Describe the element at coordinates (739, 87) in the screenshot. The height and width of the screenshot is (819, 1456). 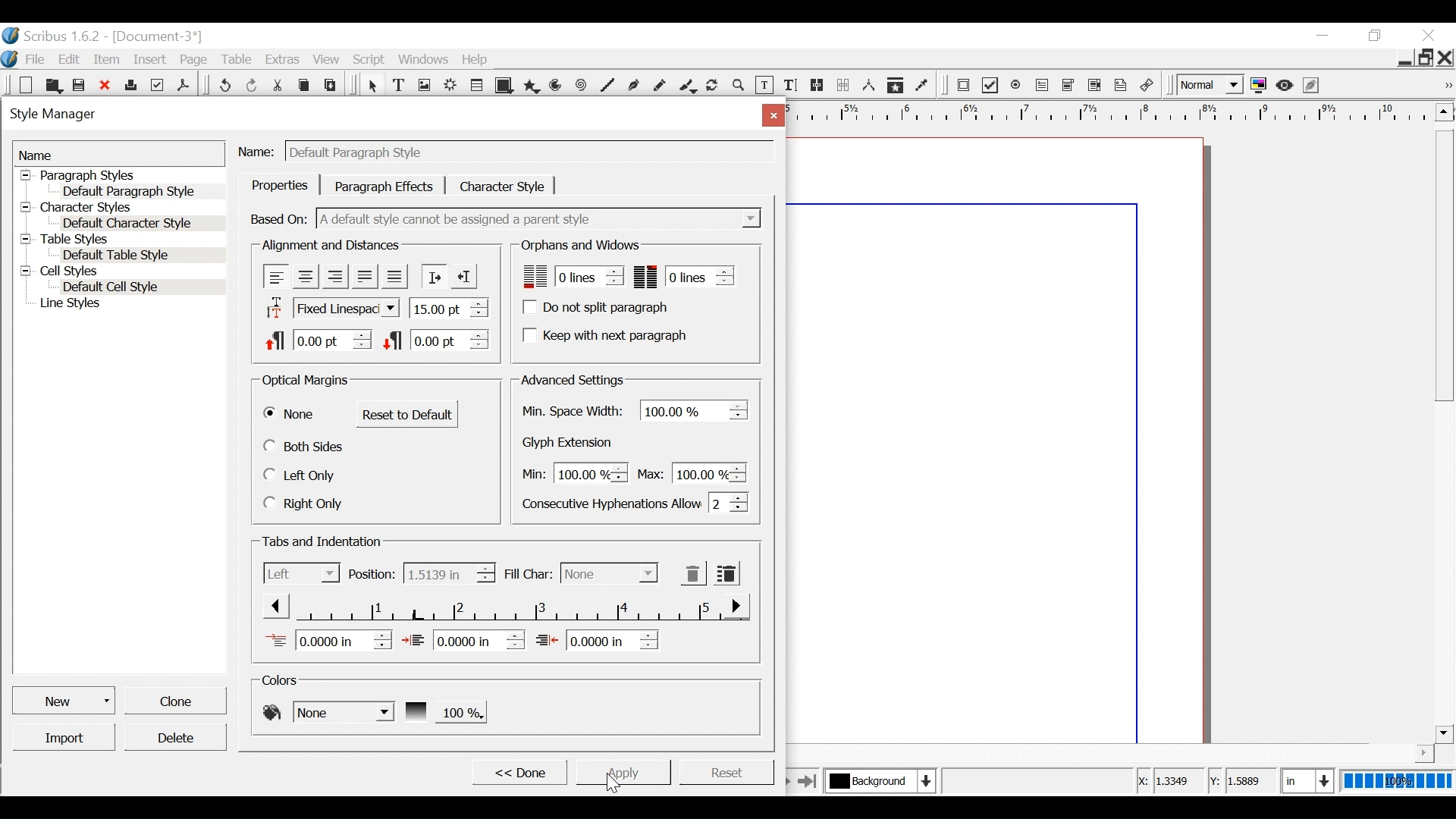
I see `Zoom` at that location.